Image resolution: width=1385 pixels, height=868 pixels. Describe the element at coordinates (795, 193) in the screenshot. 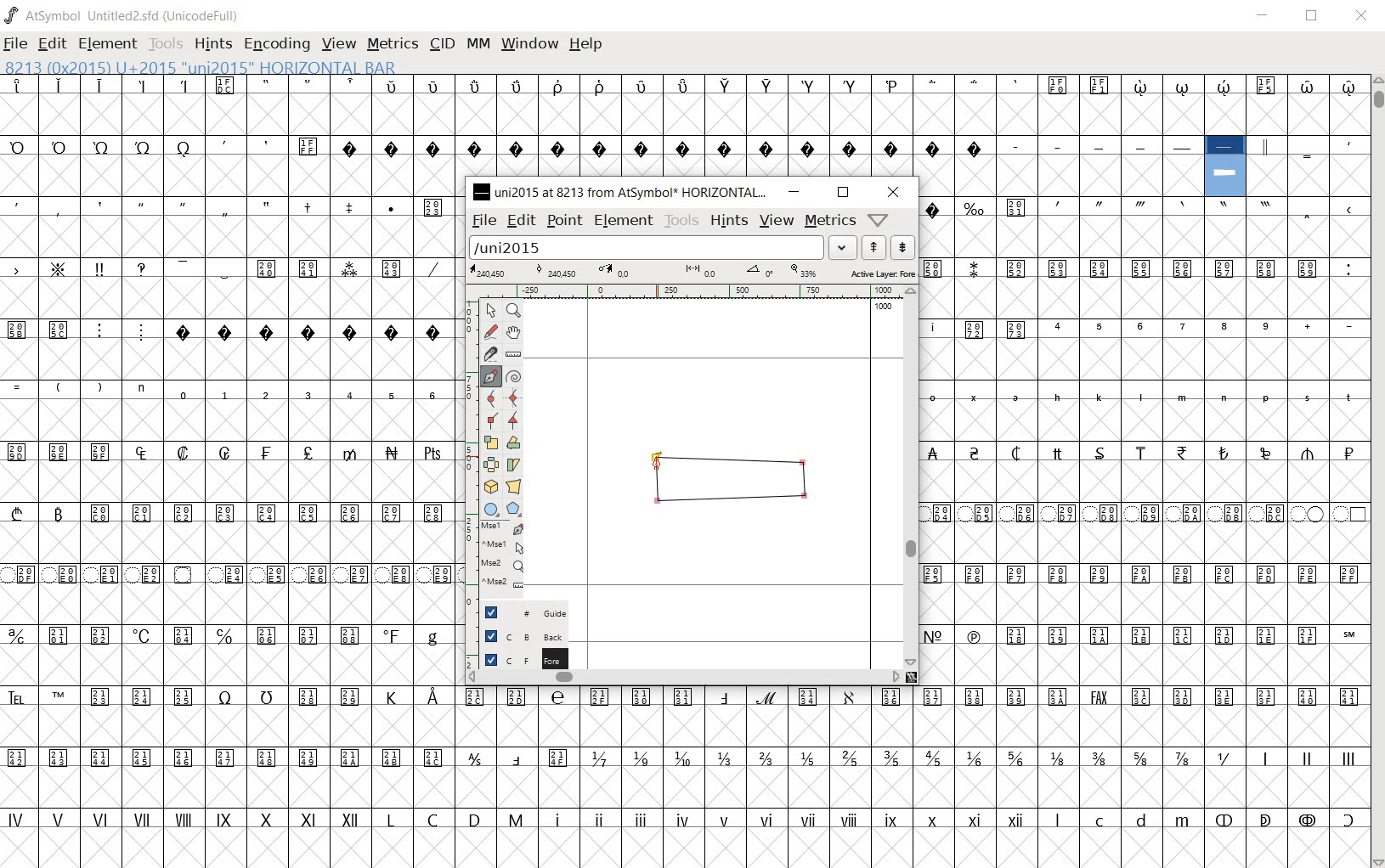

I see `minimize` at that location.